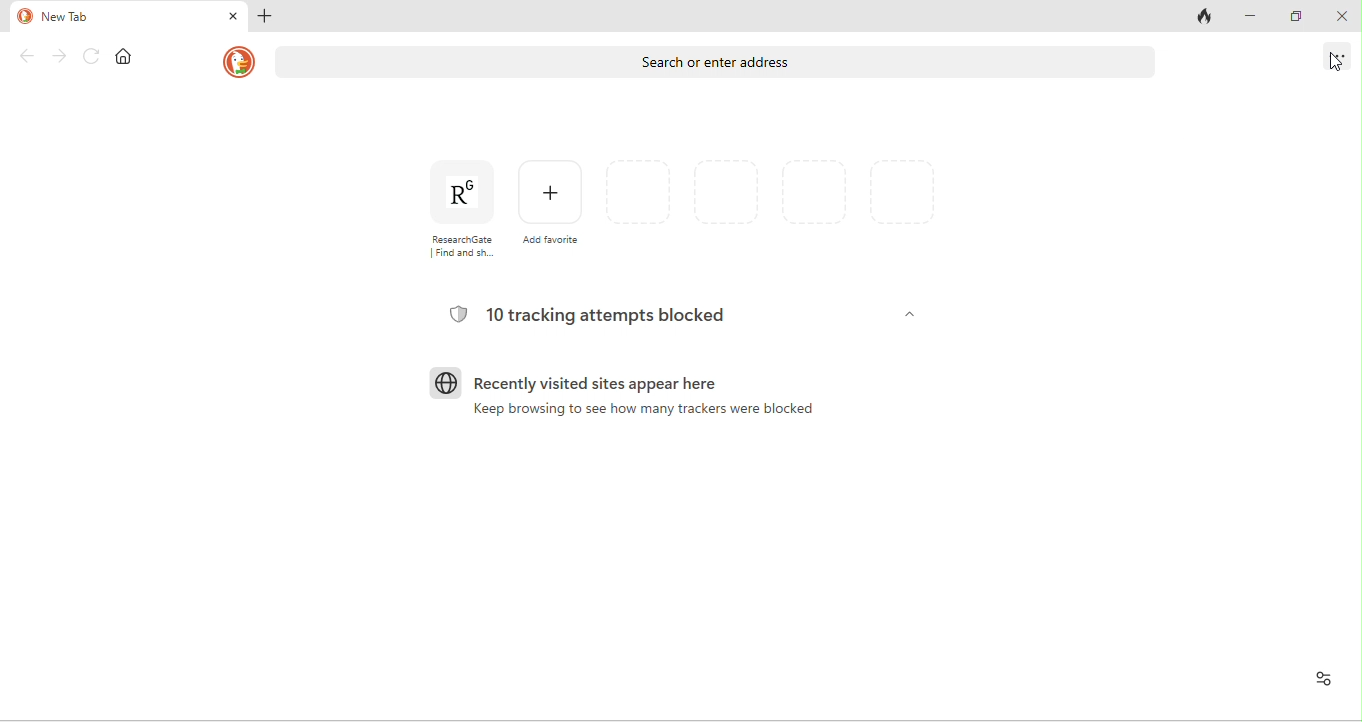 This screenshot has height=722, width=1362. I want to click on duck duck go logo, so click(237, 62).